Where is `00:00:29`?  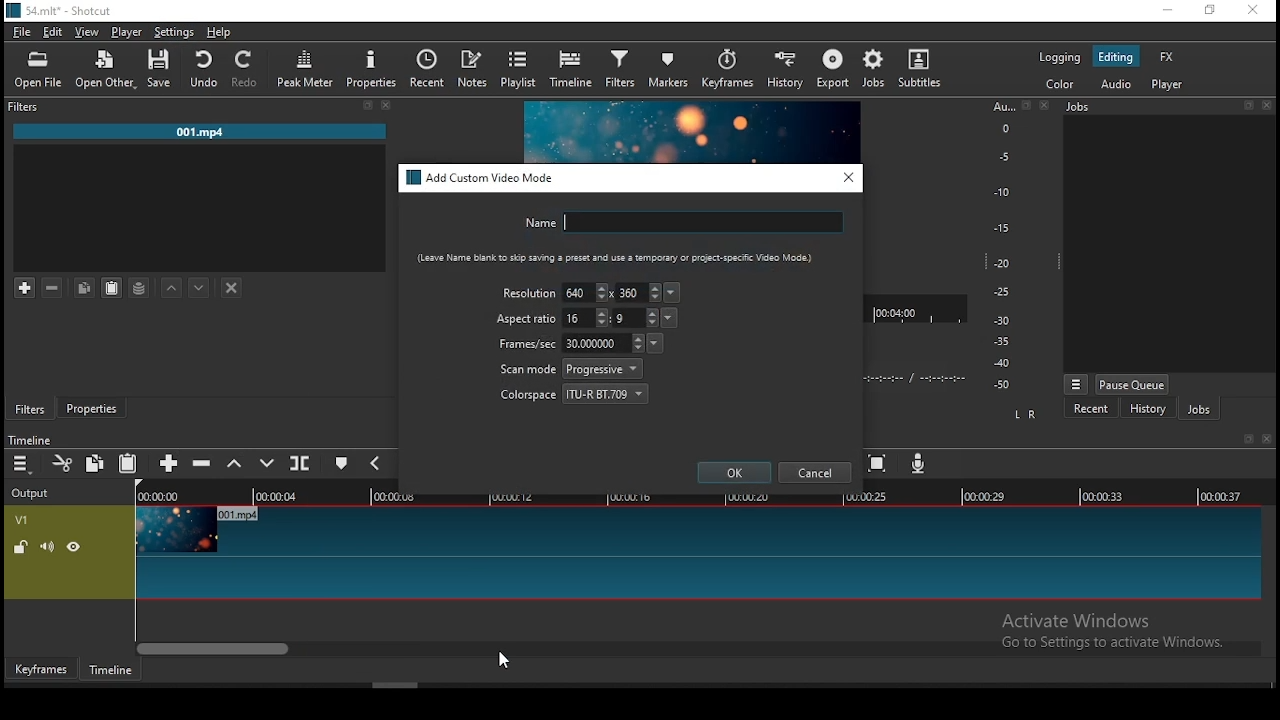
00:00:29 is located at coordinates (987, 496).